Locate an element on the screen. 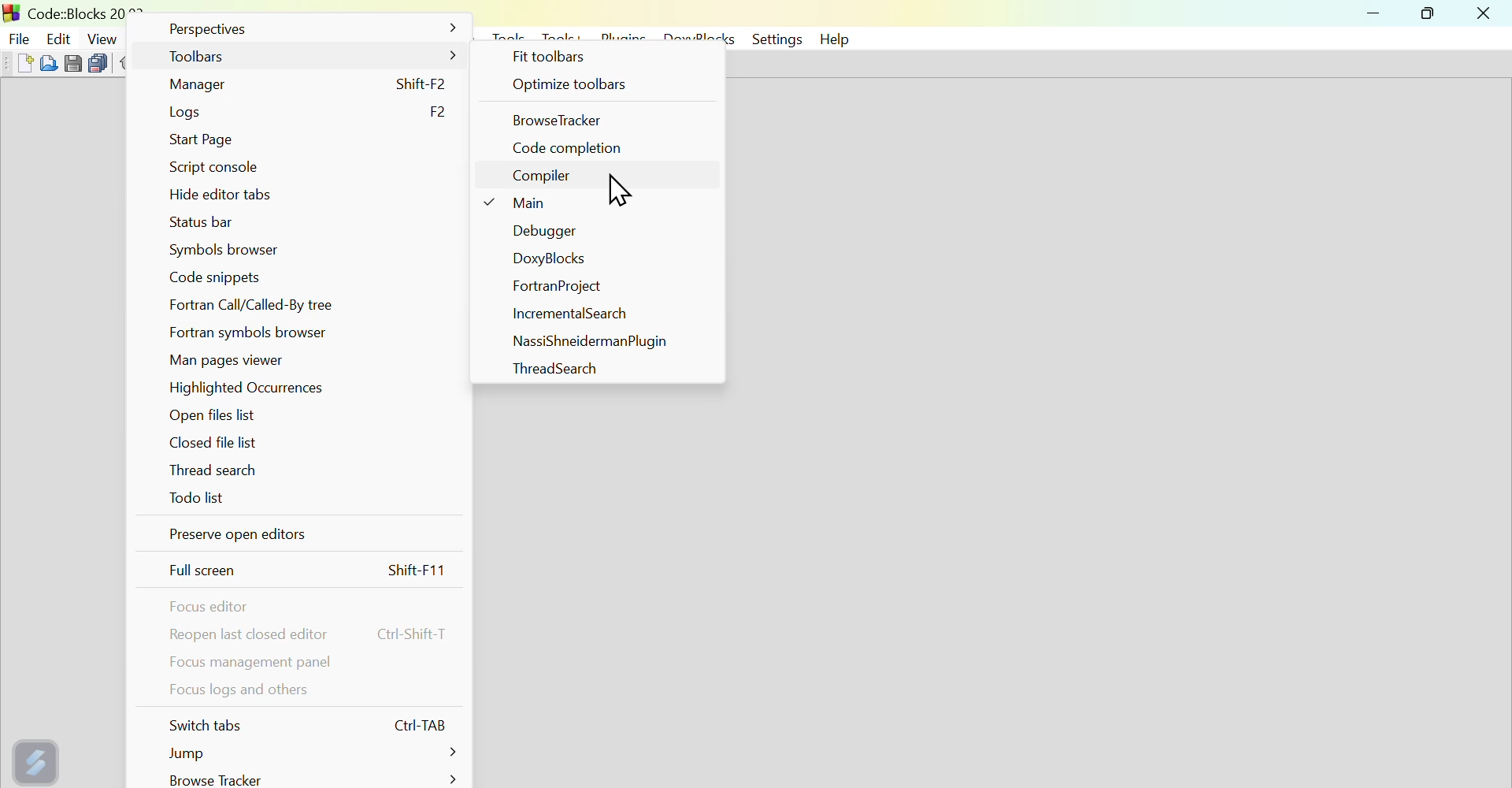 This screenshot has width=1512, height=788. screexpert is located at coordinates (39, 759).